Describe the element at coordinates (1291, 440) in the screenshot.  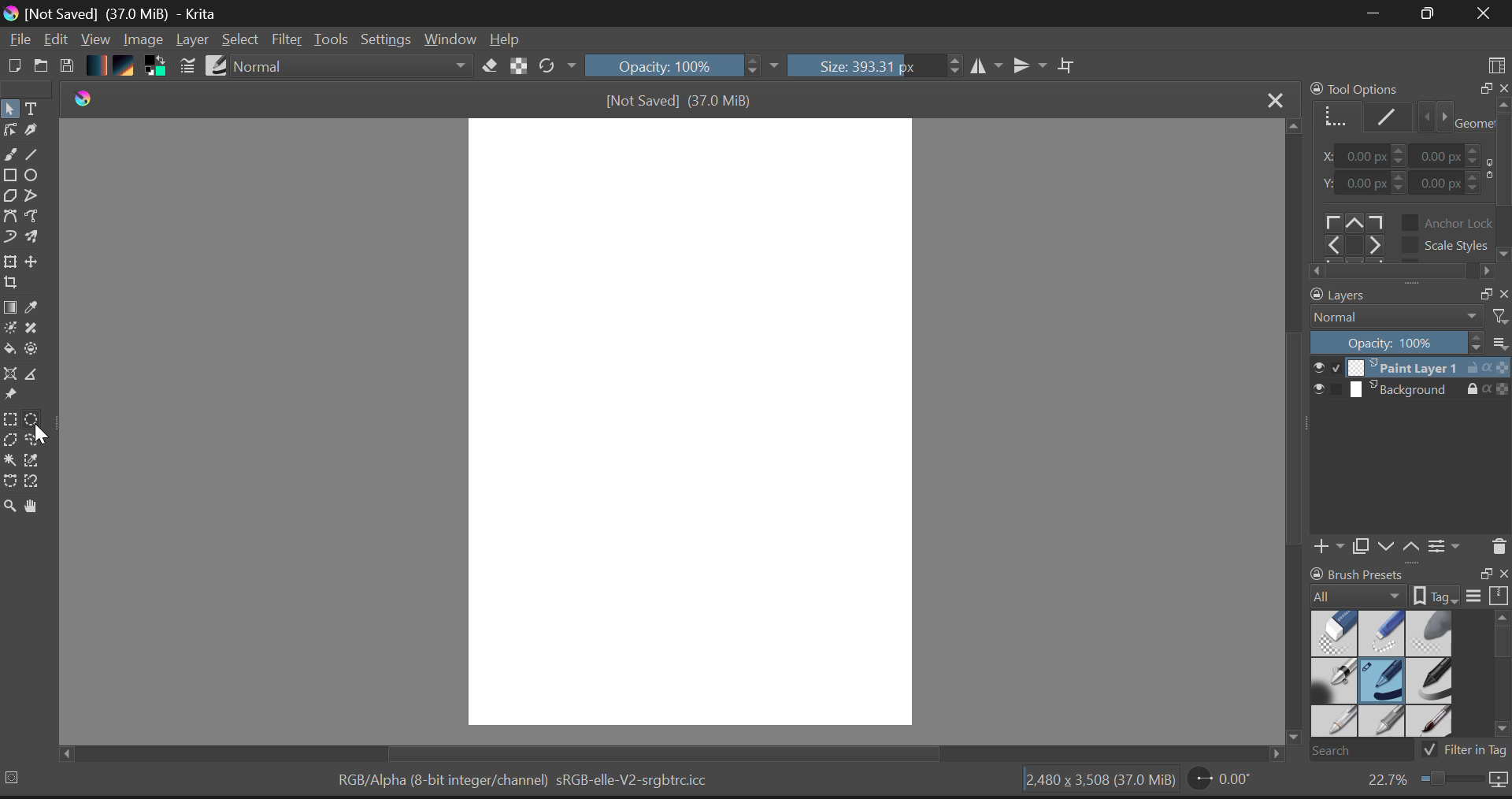
I see `Scroll Bar` at that location.